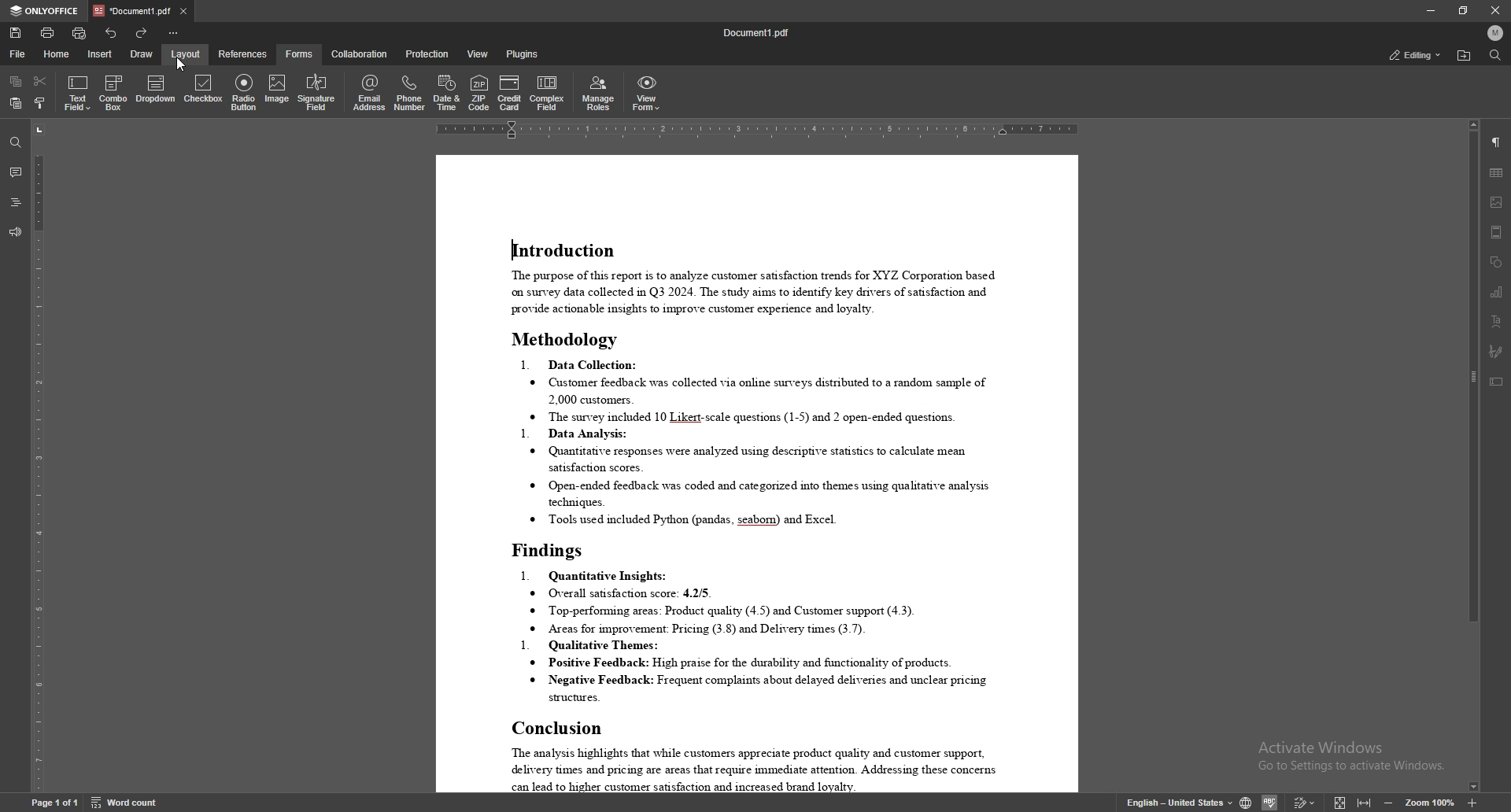 This screenshot has width=1511, height=812. I want to click on scroll bar, so click(1470, 456).